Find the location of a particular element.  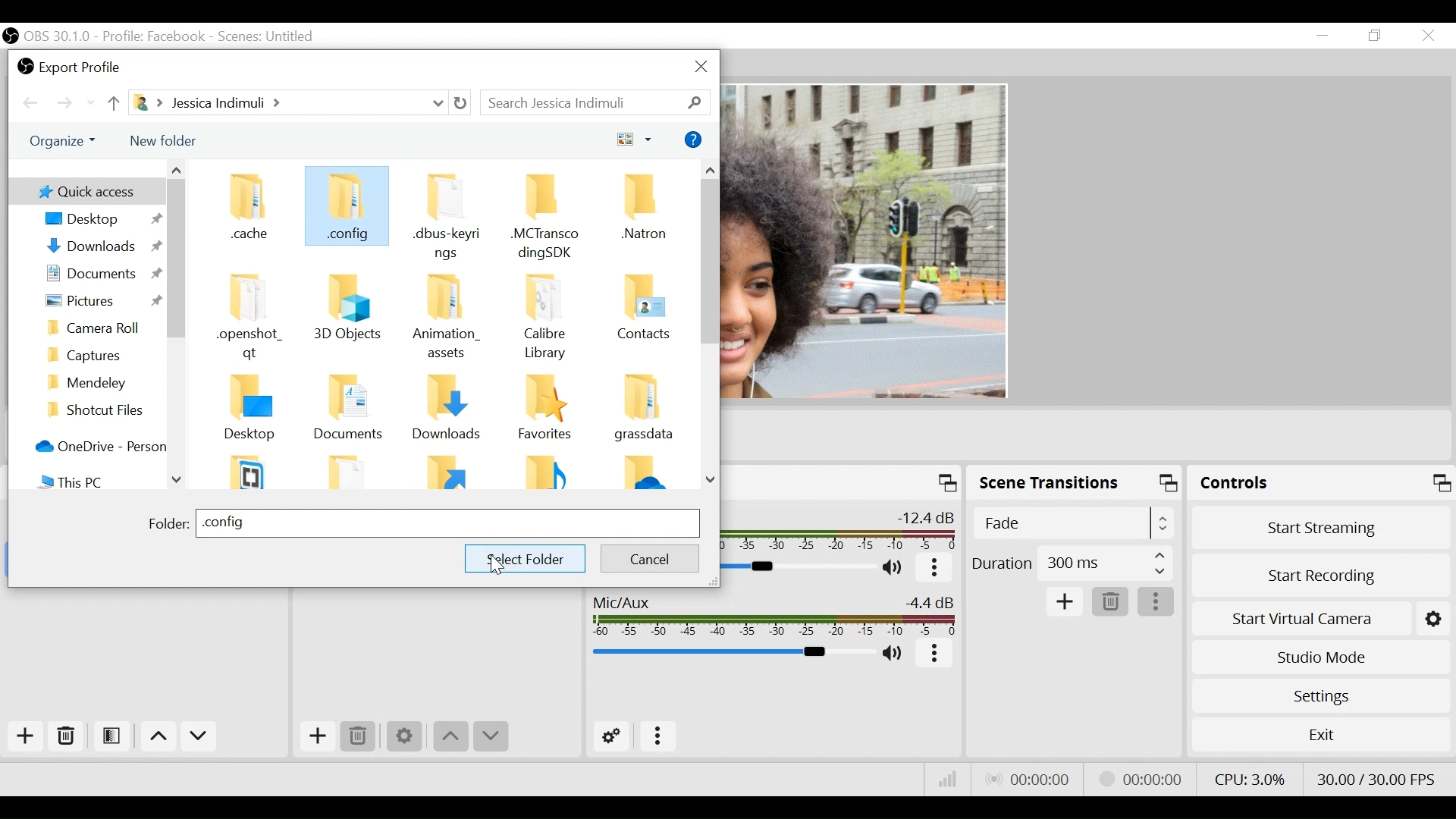

Scroll up is located at coordinates (175, 169).